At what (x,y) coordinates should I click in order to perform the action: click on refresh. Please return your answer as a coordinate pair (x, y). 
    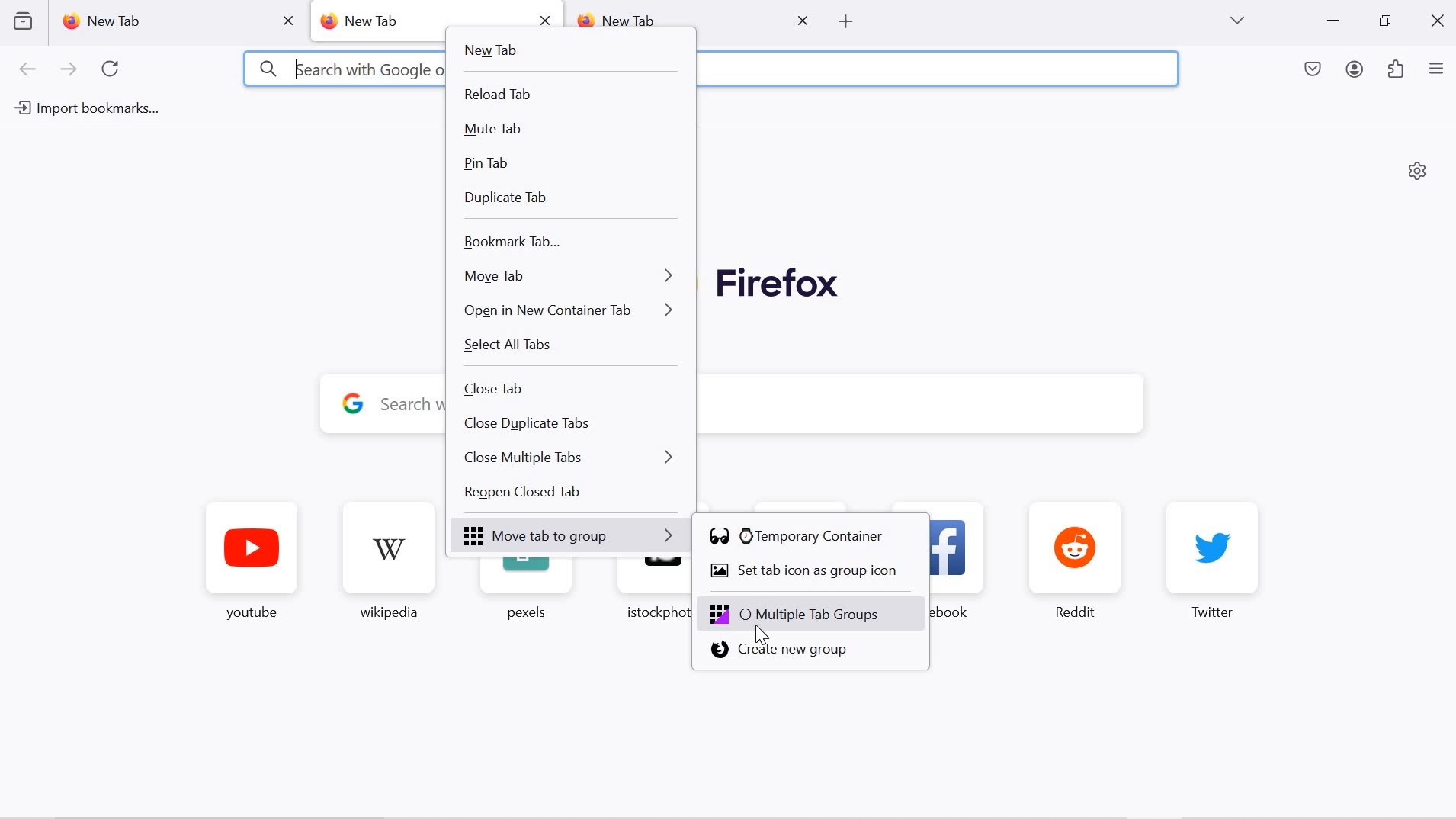
    Looking at the image, I should click on (111, 69).